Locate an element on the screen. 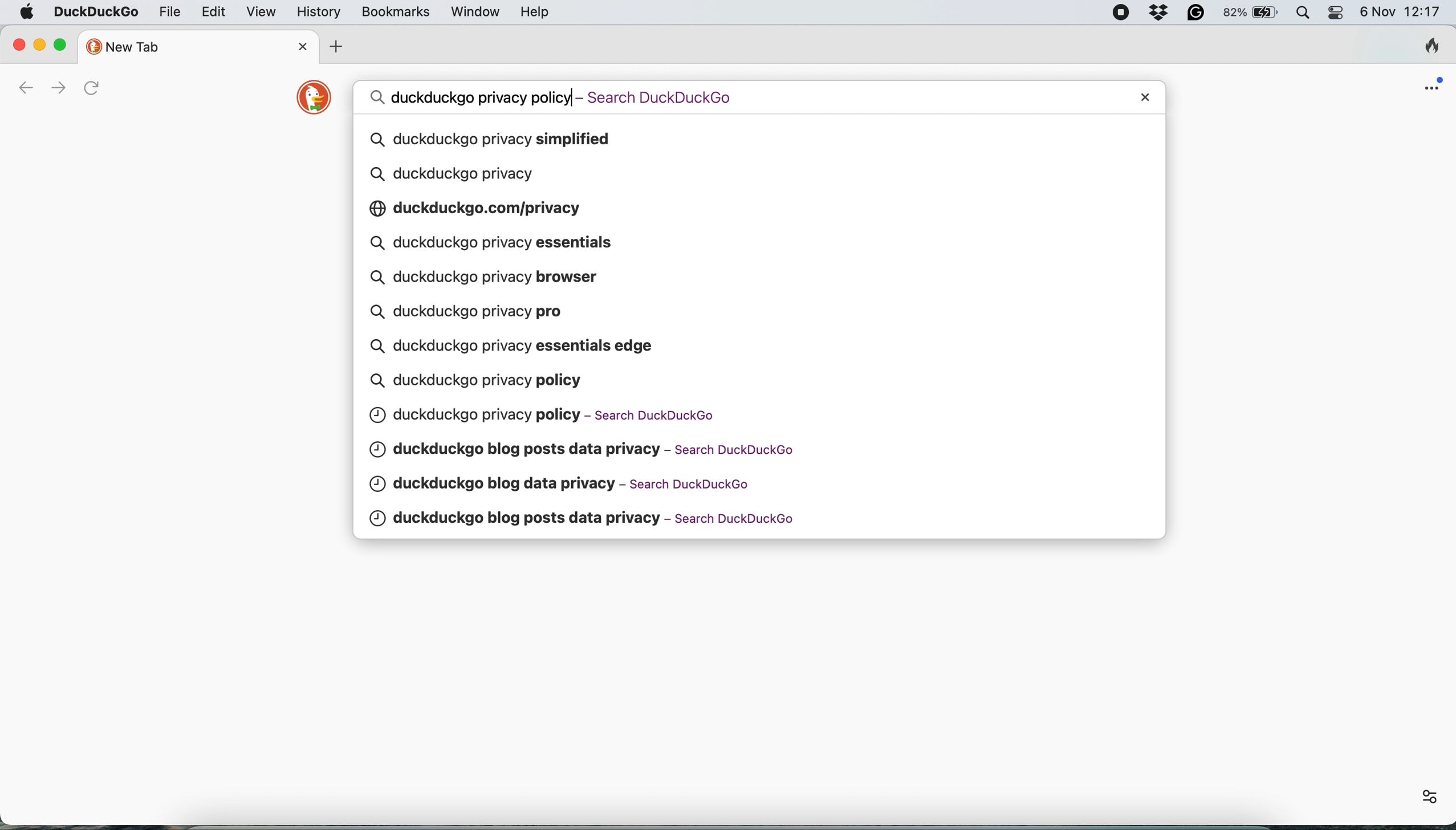 This screenshot has height=830, width=1456. close is located at coordinates (1149, 96).